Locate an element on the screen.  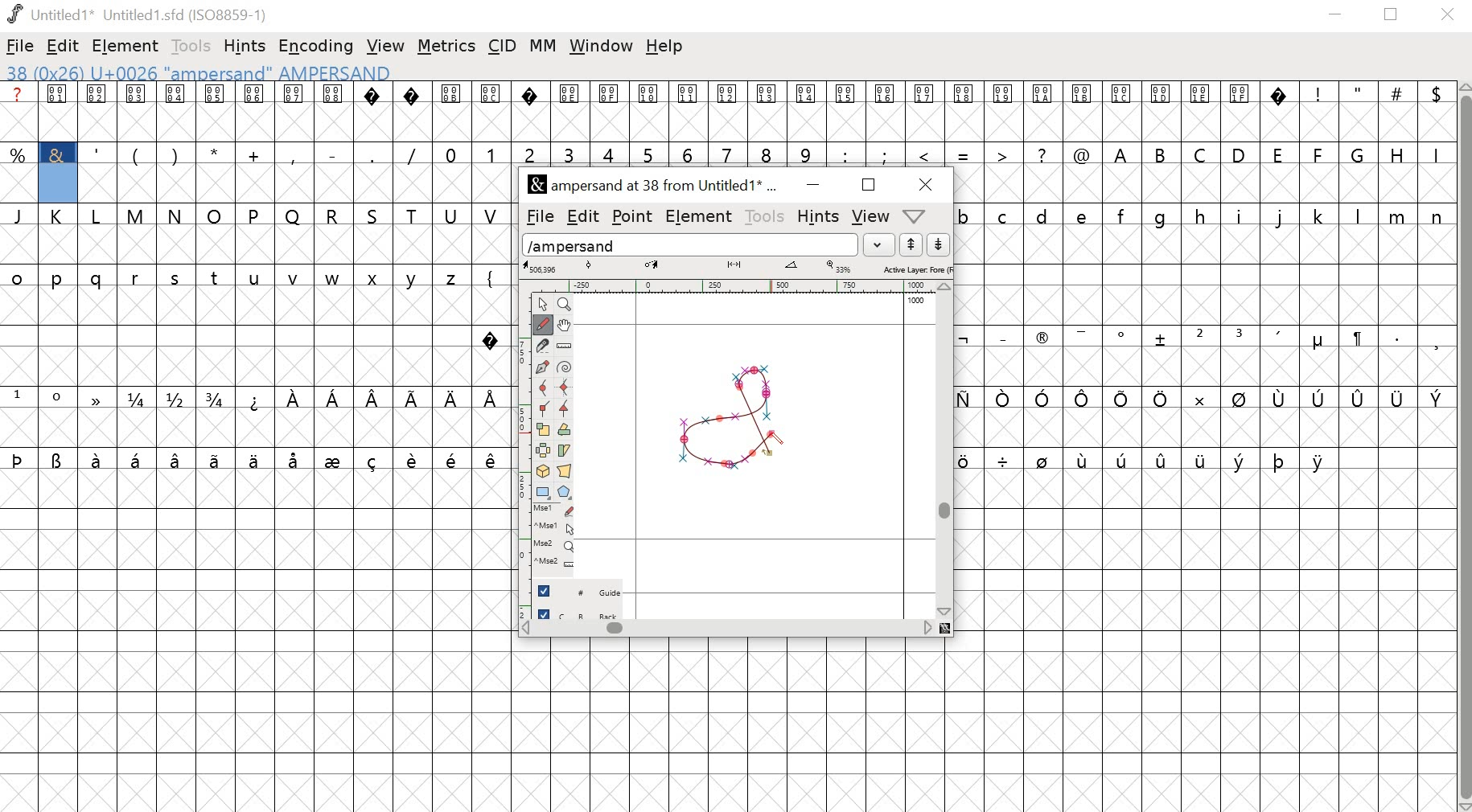
" is located at coordinates (1359, 113).